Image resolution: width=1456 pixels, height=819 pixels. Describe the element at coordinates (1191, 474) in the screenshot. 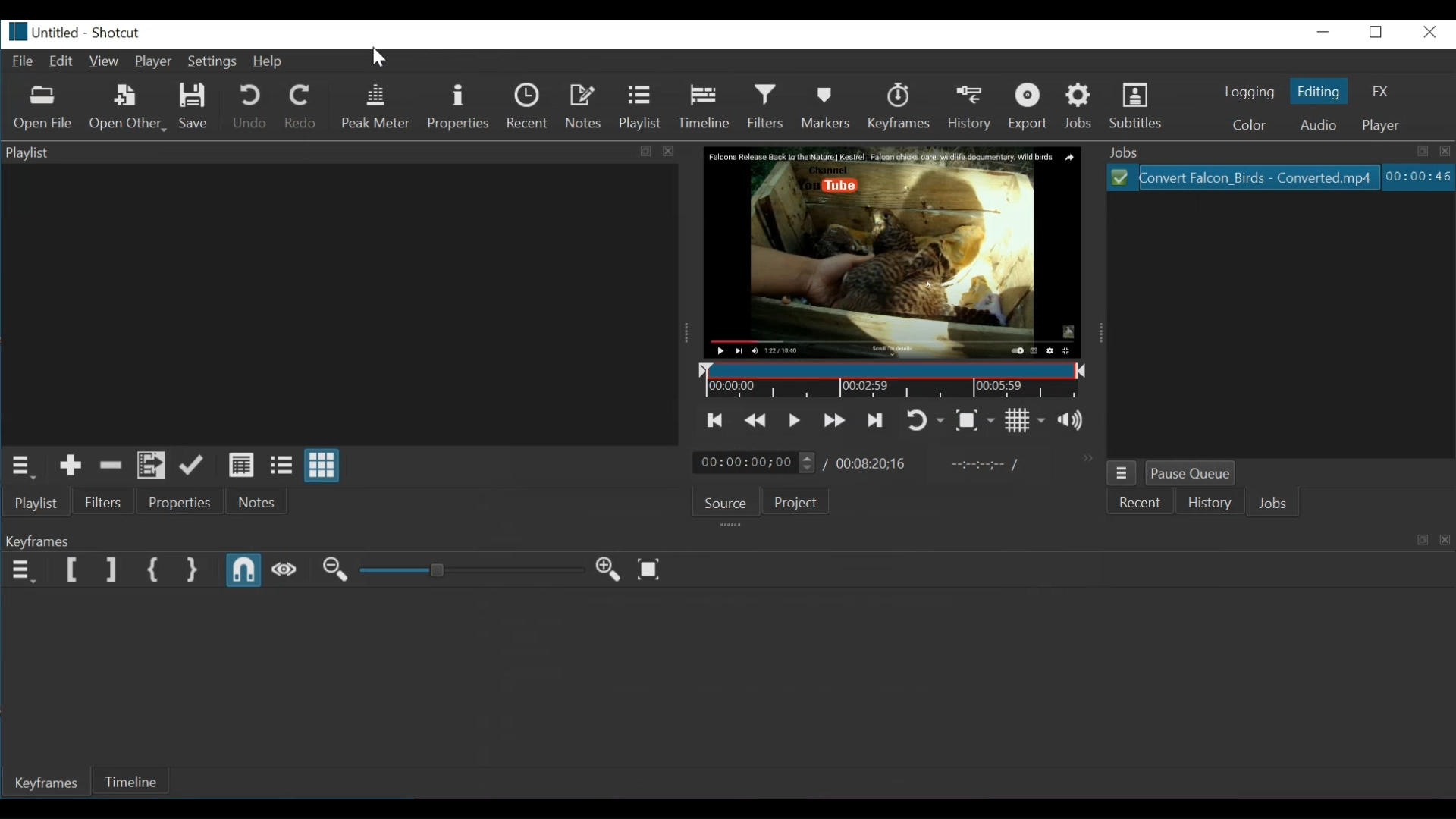

I see `Pause Queue` at that location.